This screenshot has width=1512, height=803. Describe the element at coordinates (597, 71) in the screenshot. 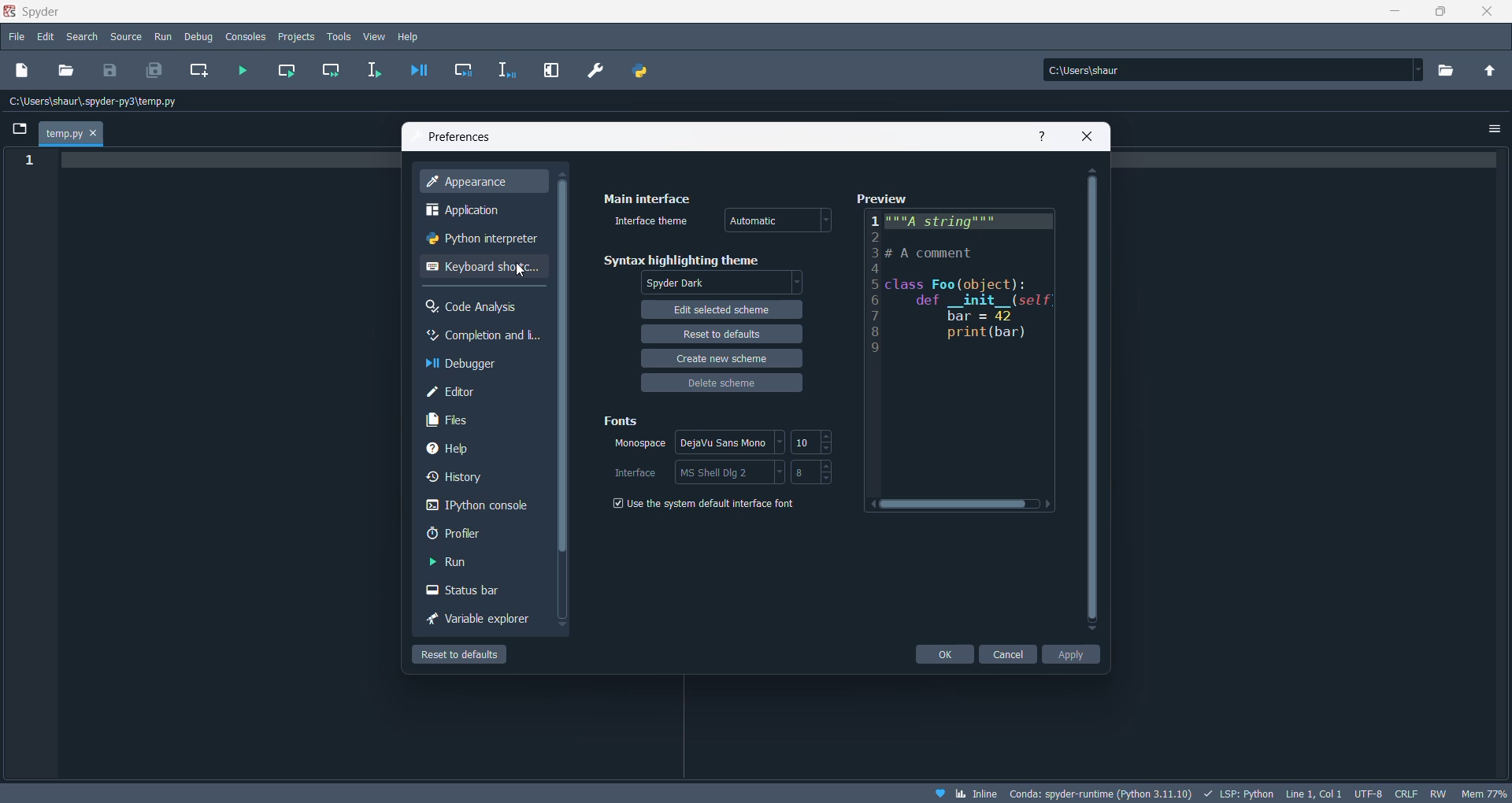

I see `PREFERENCES` at that location.